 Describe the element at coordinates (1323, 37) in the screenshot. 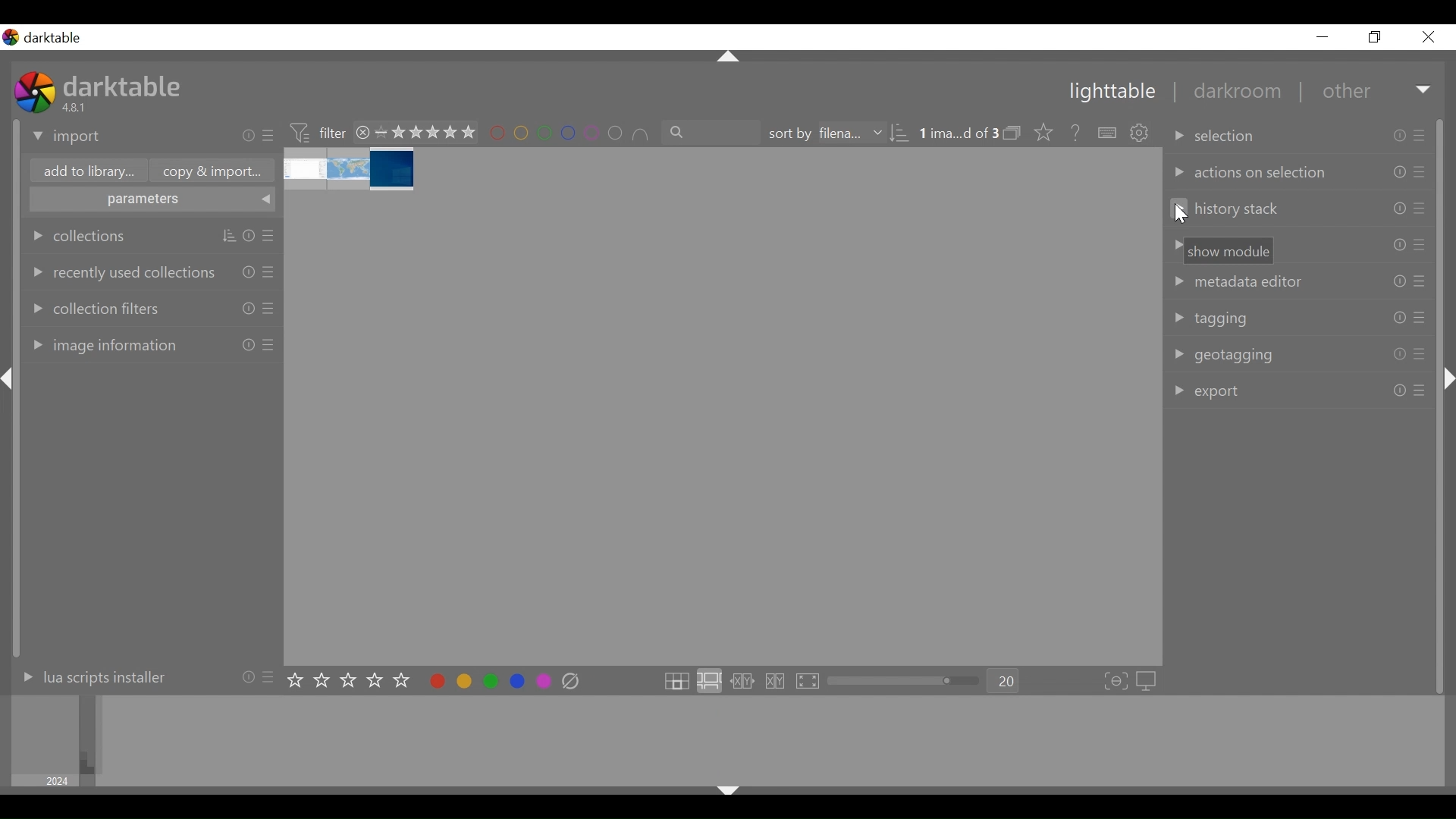

I see `minimize` at that location.